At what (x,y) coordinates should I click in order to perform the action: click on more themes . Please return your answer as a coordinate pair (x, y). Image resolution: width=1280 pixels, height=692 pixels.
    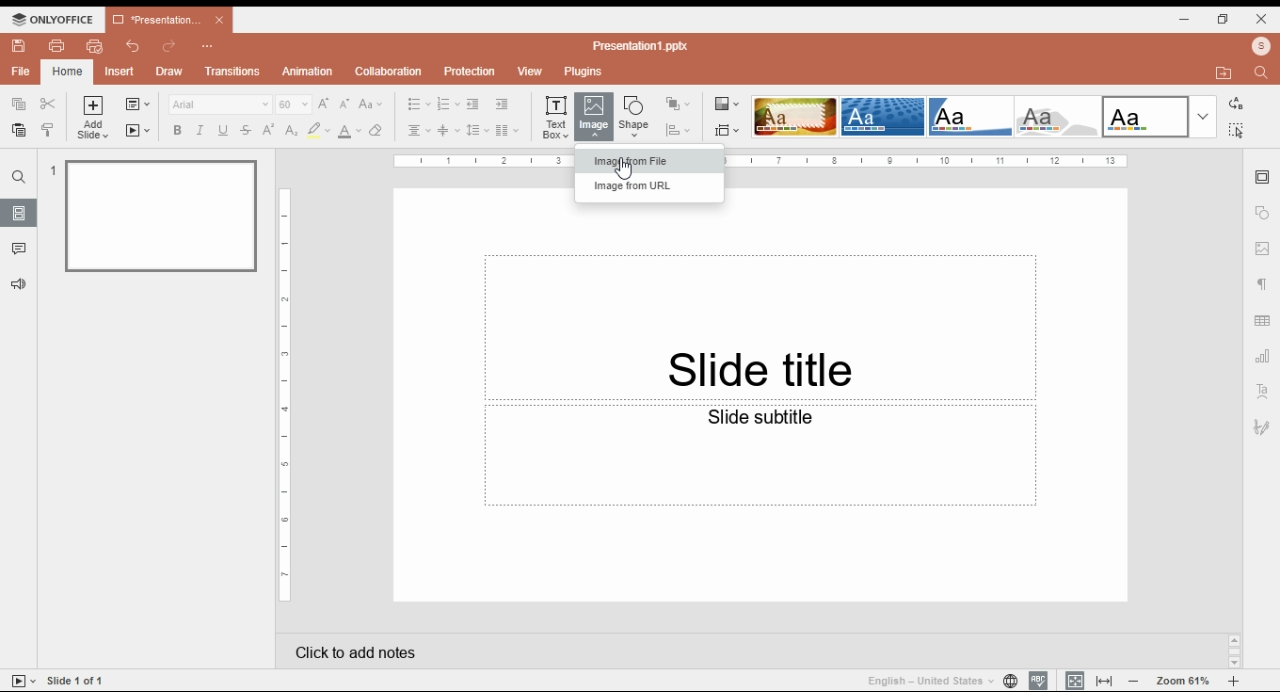
    Looking at the image, I should click on (1203, 117).